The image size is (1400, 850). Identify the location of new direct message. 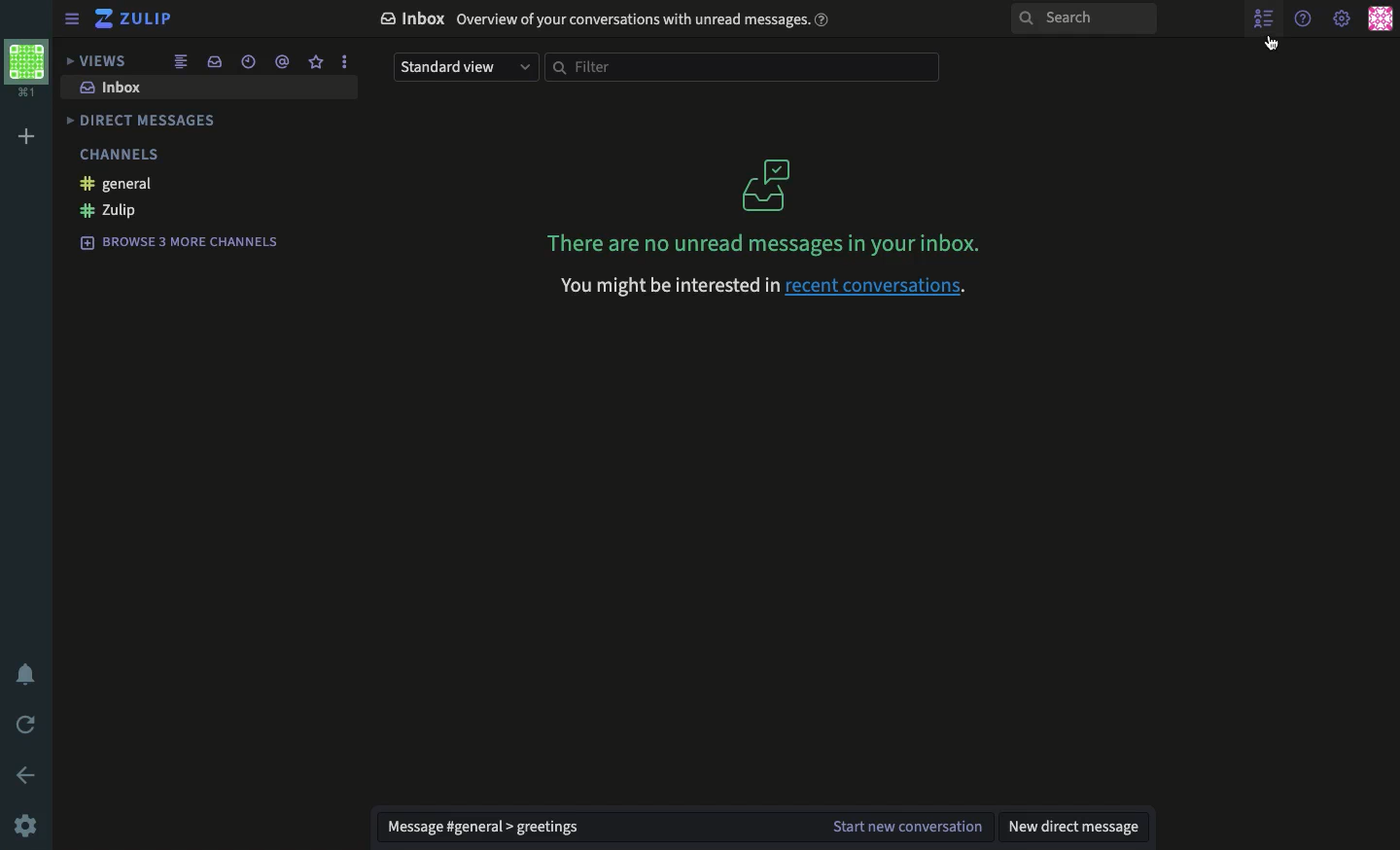
(1073, 826).